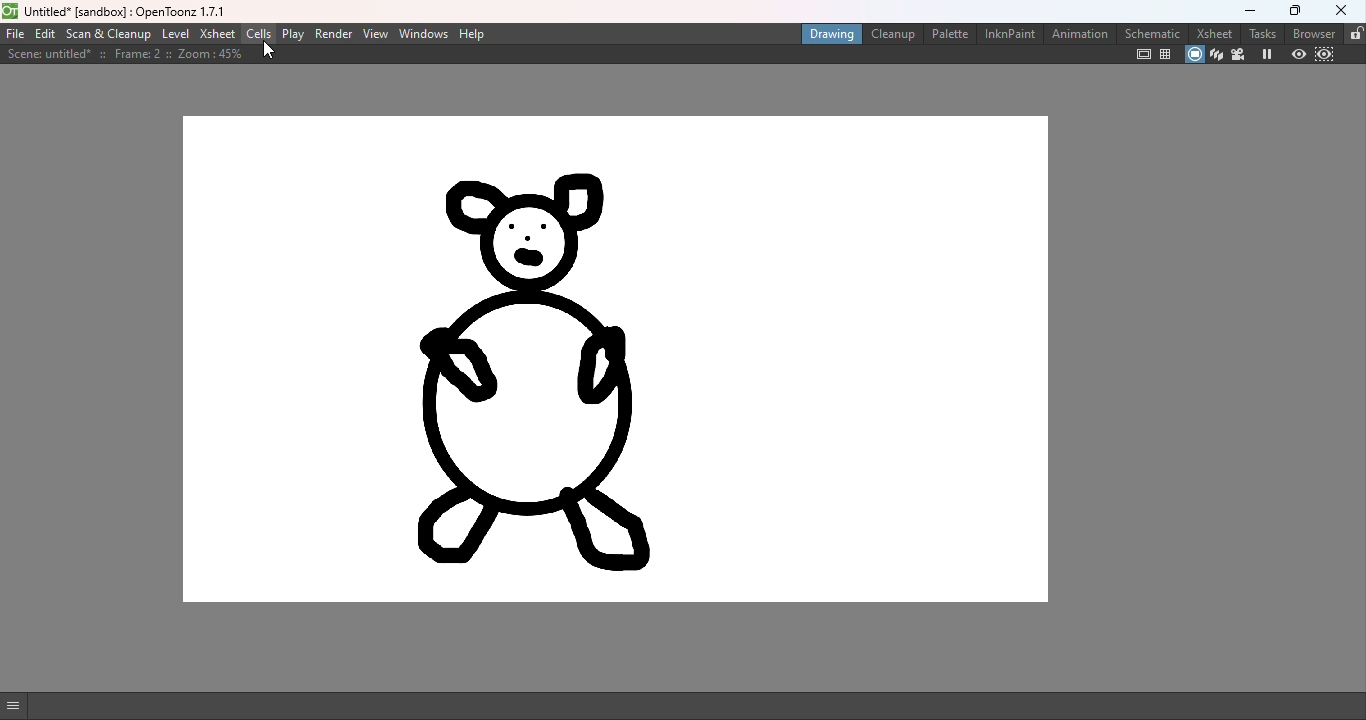 Image resolution: width=1366 pixels, height=720 pixels. I want to click on Palette, so click(949, 33).